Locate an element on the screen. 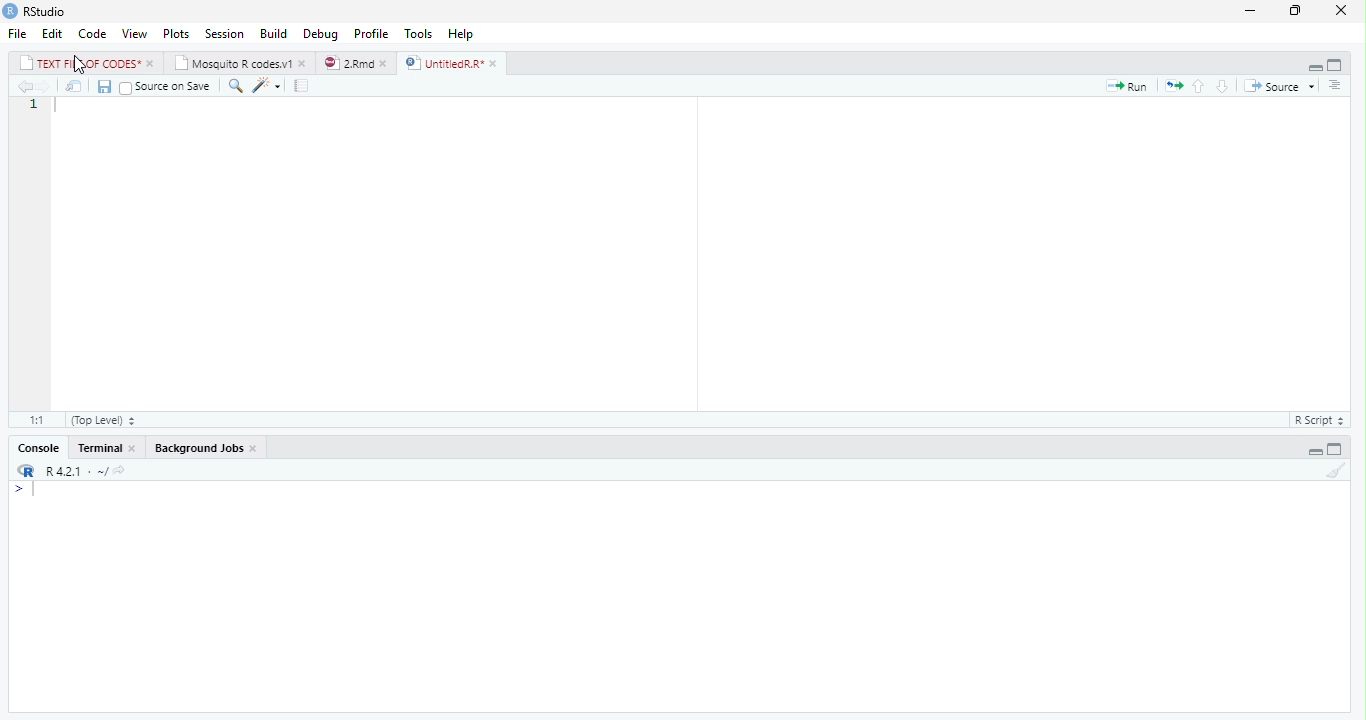 This screenshot has height=720, width=1366. R 4.2.1 - ~/ is located at coordinates (67, 470).